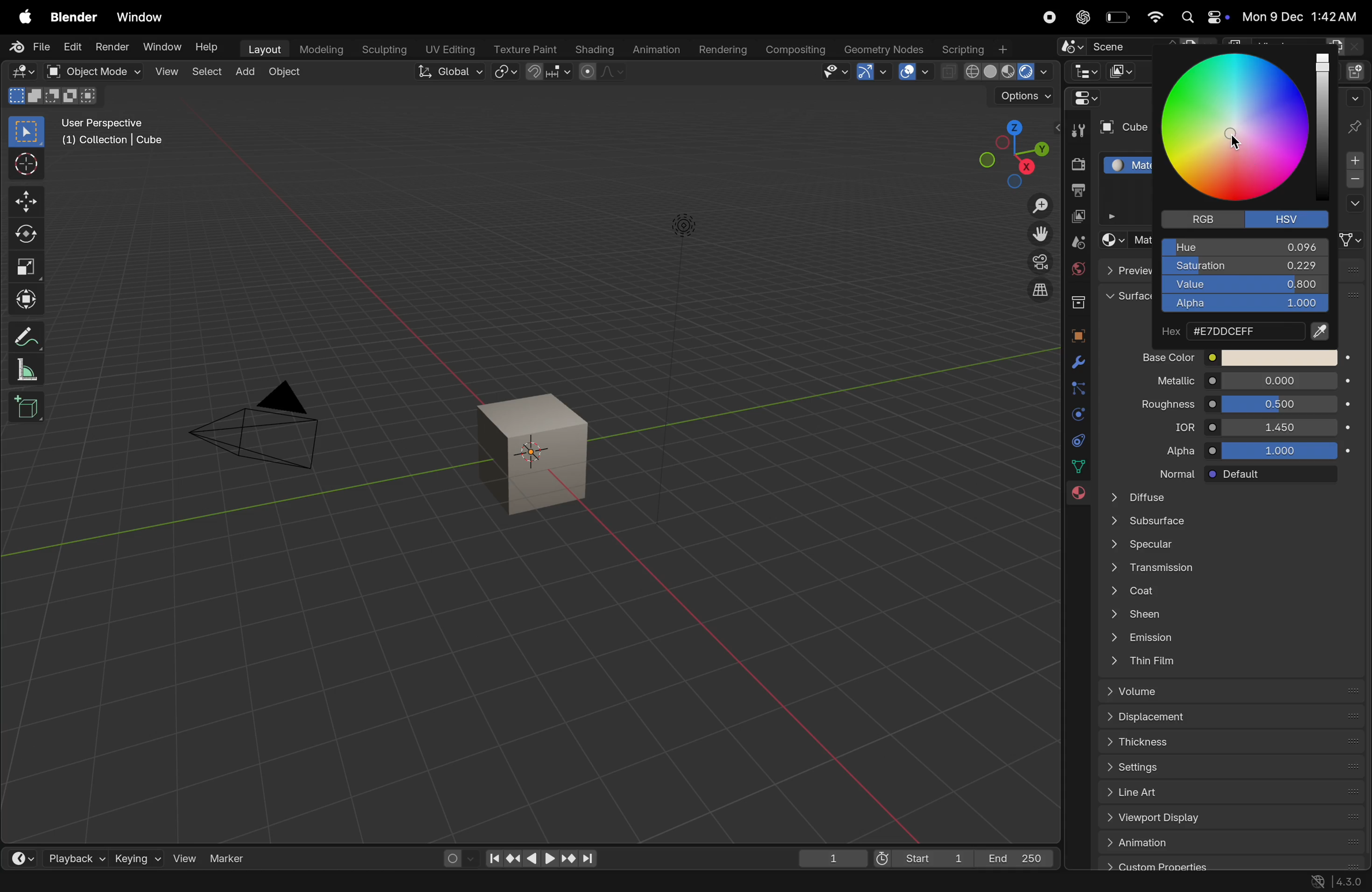 The image size is (1372, 892). What do you see at coordinates (261, 428) in the screenshot?
I see `perspective camera` at bounding box center [261, 428].